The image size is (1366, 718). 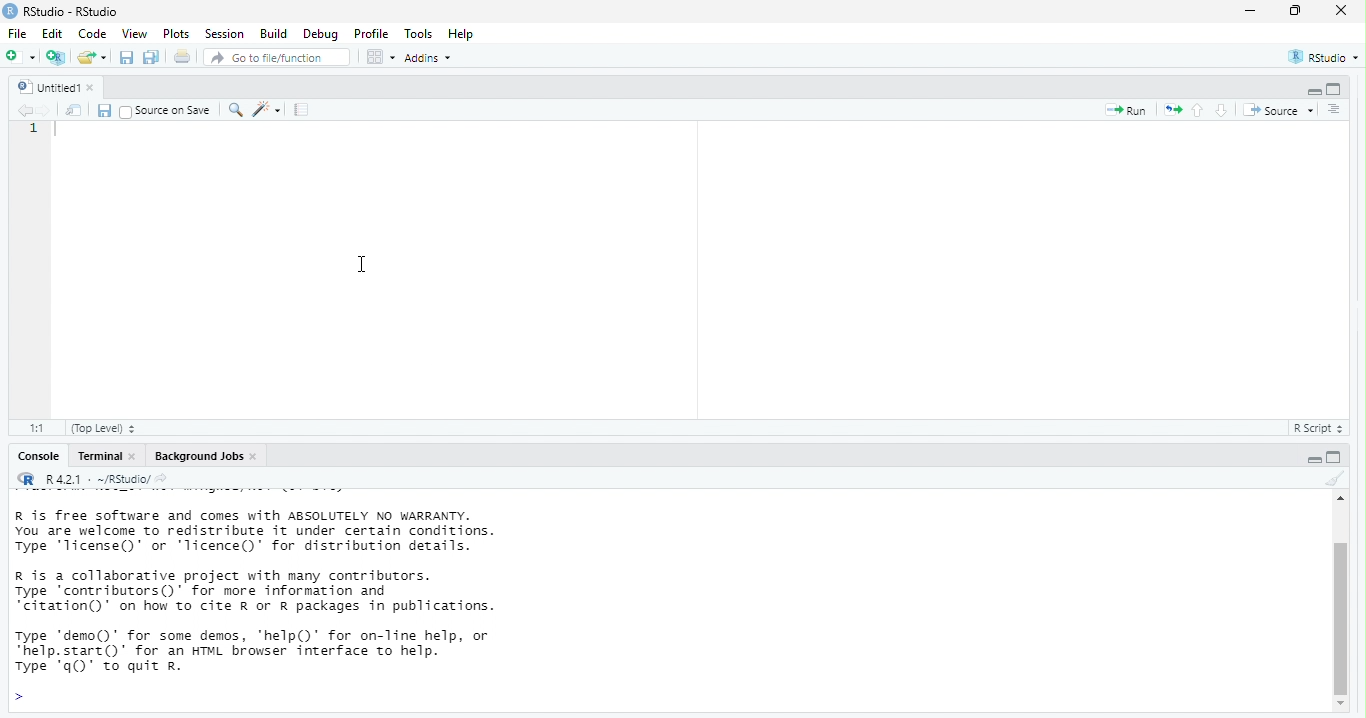 I want to click on untitled, so click(x=41, y=85).